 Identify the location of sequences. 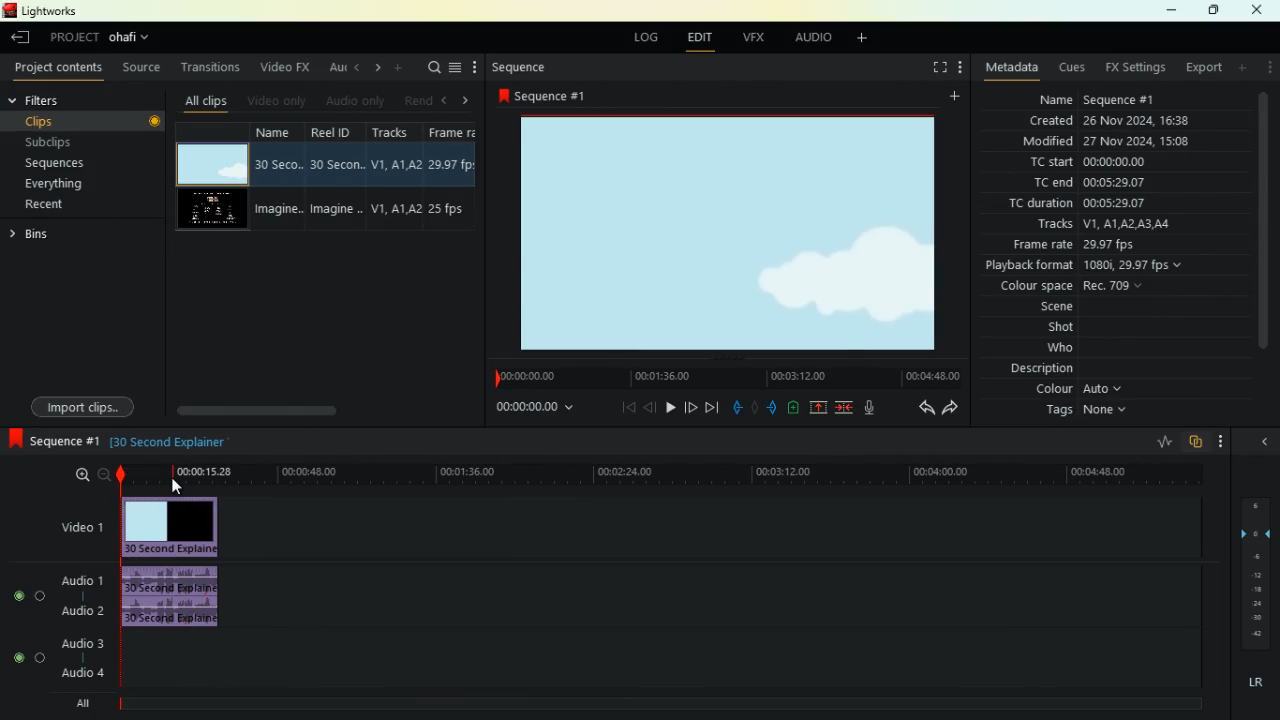
(70, 161).